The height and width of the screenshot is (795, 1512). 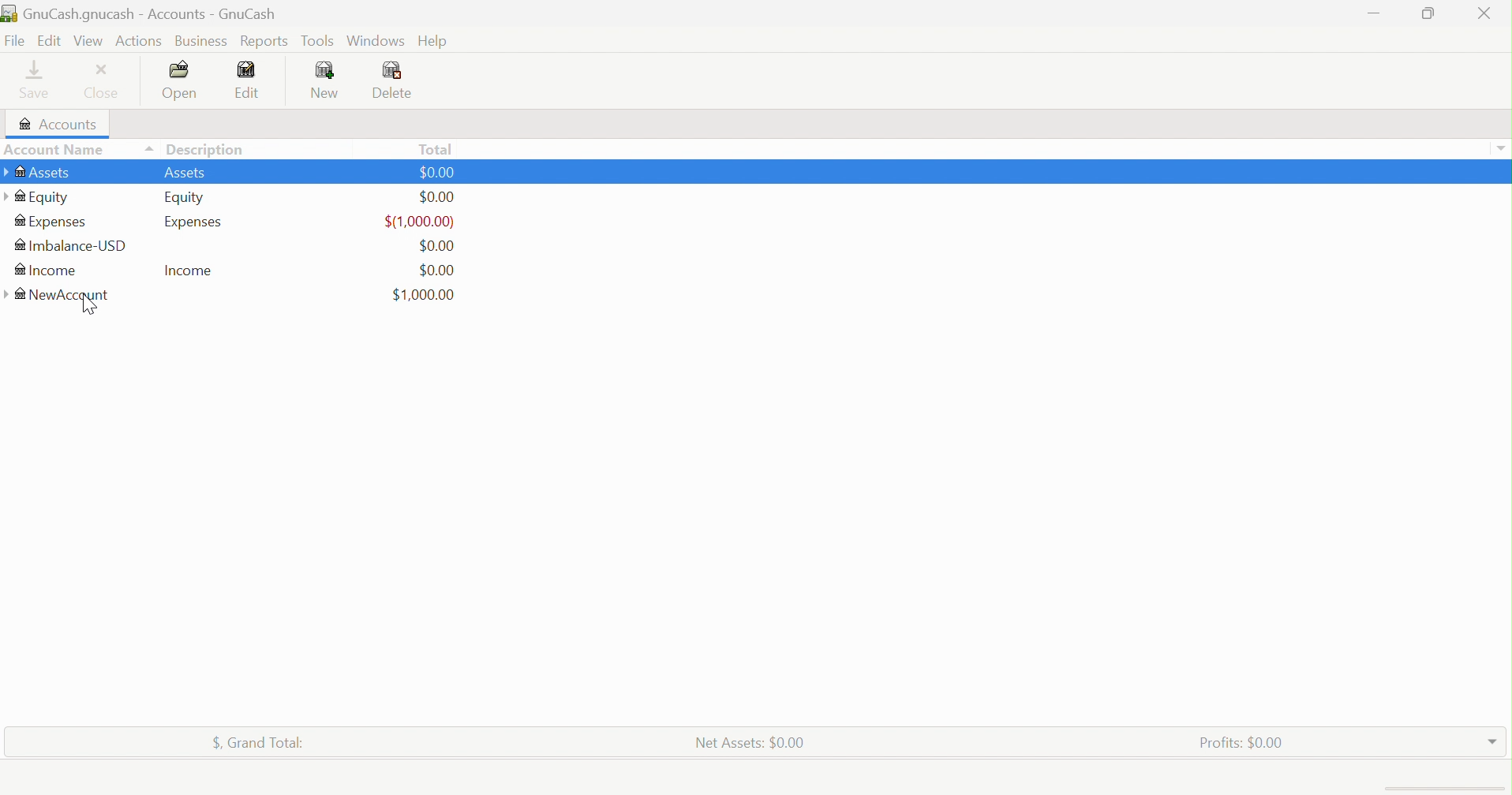 What do you see at coordinates (182, 83) in the screenshot?
I see `Open` at bounding box center [182, 83].